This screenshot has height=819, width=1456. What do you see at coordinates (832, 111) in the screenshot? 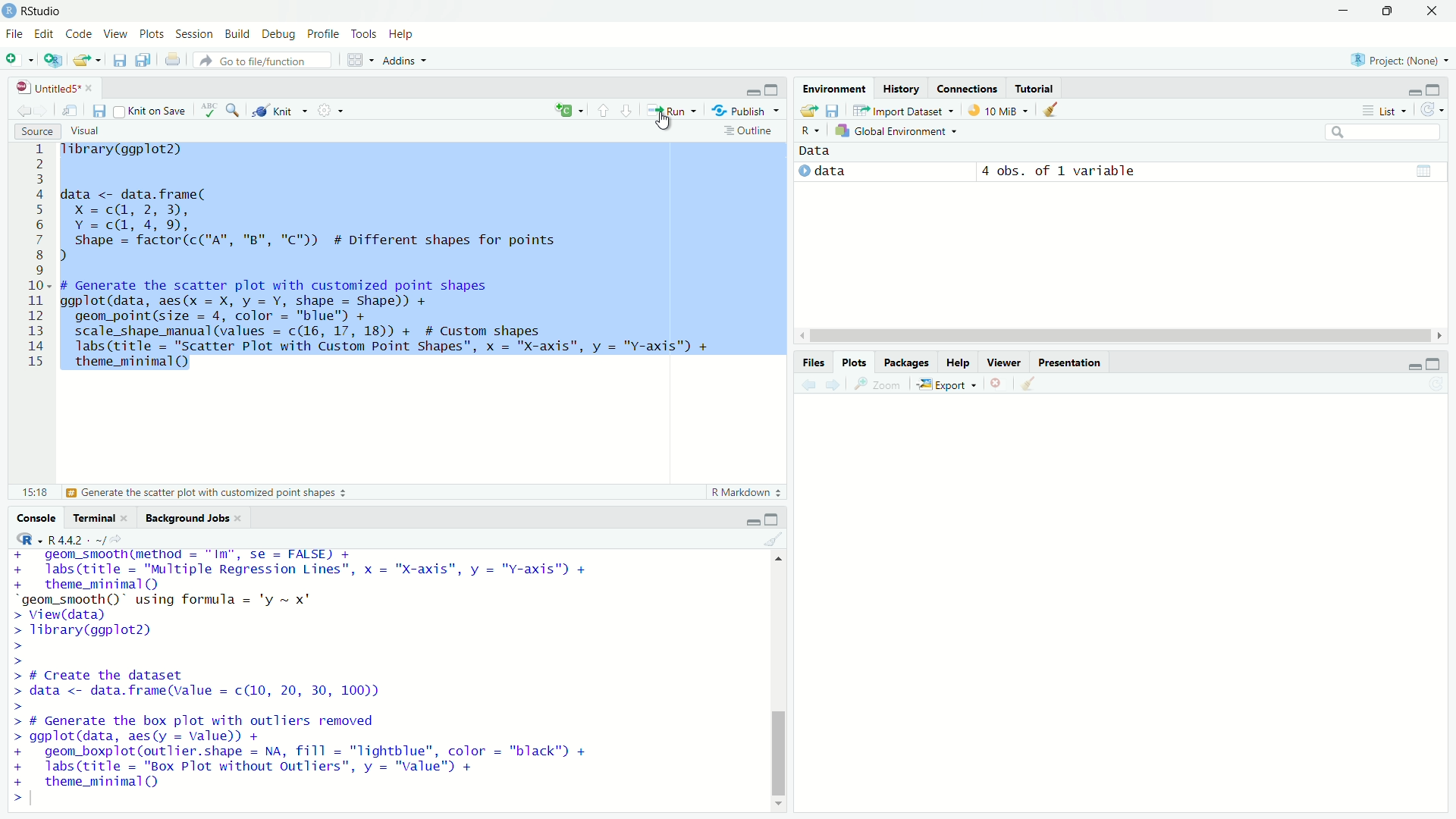
I see `Save workspace as` at bounding box center [832, 111].